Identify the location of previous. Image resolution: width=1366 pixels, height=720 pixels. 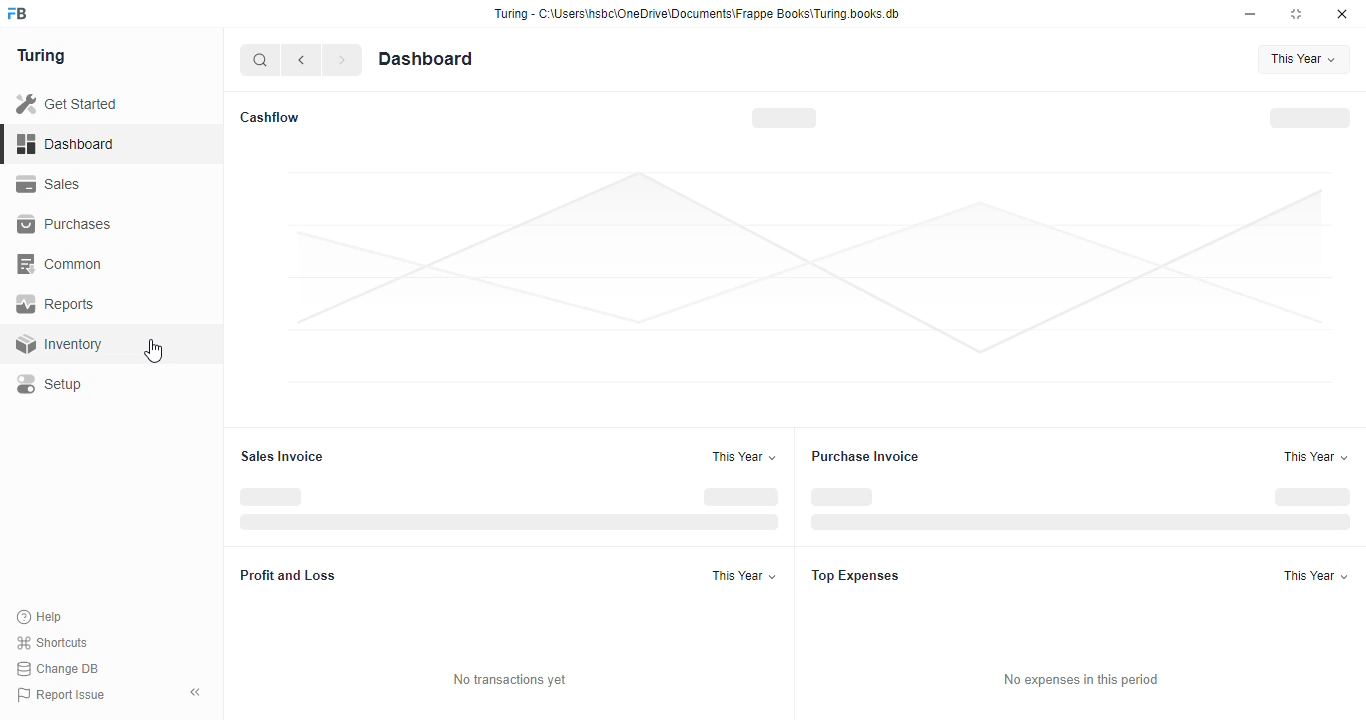
(302, 60).